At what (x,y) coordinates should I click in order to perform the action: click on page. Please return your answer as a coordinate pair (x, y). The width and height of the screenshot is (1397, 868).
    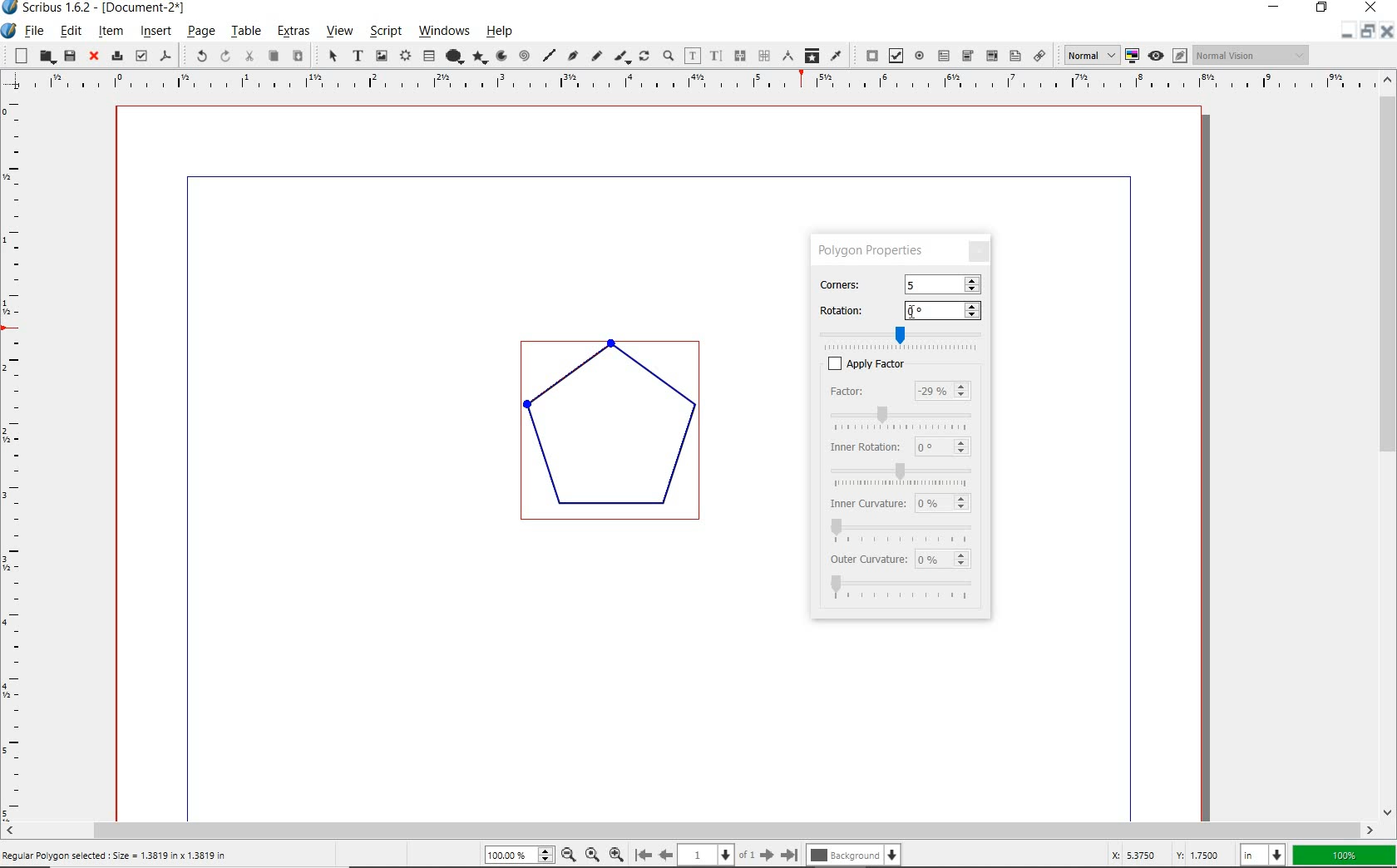
    Looking at the image, I should click on (200, 32).